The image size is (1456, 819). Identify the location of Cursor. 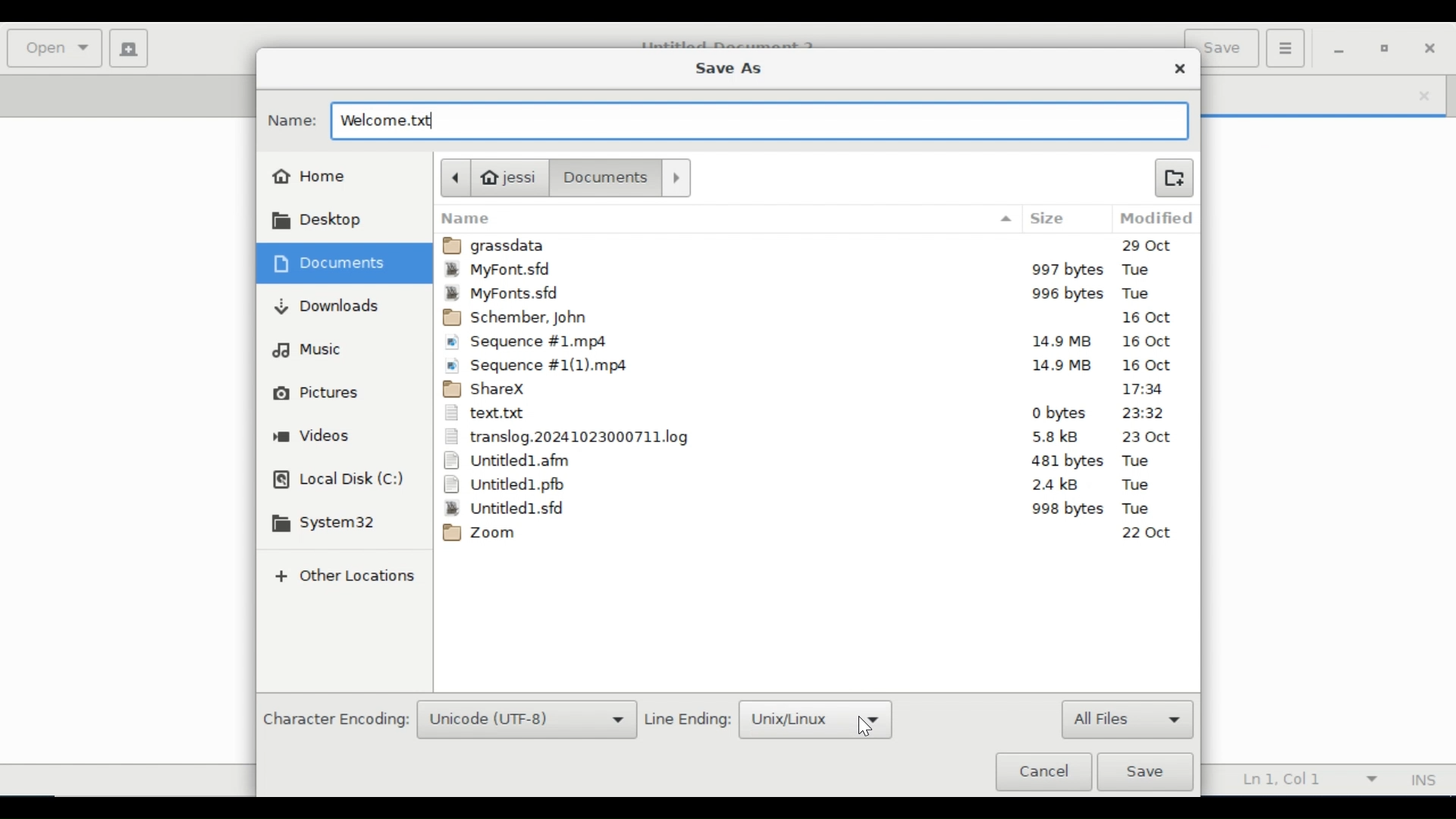
(862, 728).